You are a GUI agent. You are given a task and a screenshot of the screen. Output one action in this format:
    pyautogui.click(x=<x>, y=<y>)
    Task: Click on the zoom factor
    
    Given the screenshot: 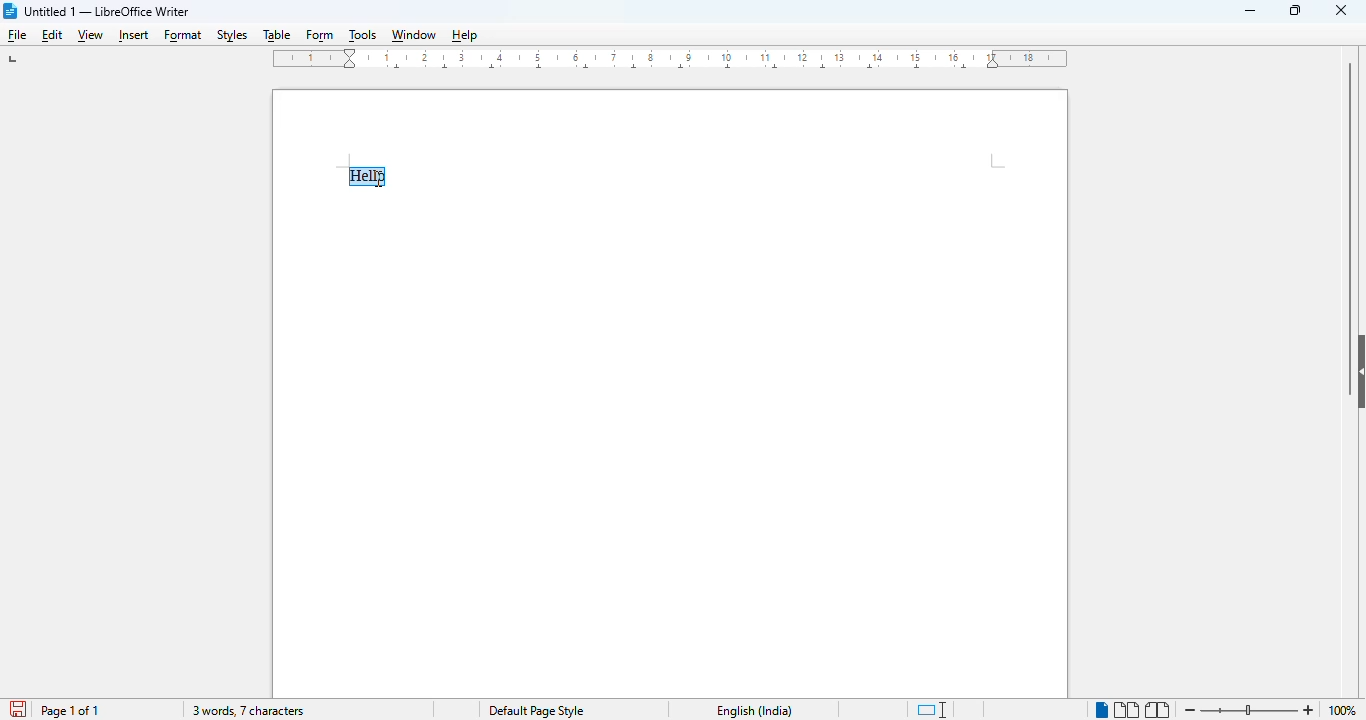 What is the action you would take?
    pyautogui.click(x=1348, y=711)
    